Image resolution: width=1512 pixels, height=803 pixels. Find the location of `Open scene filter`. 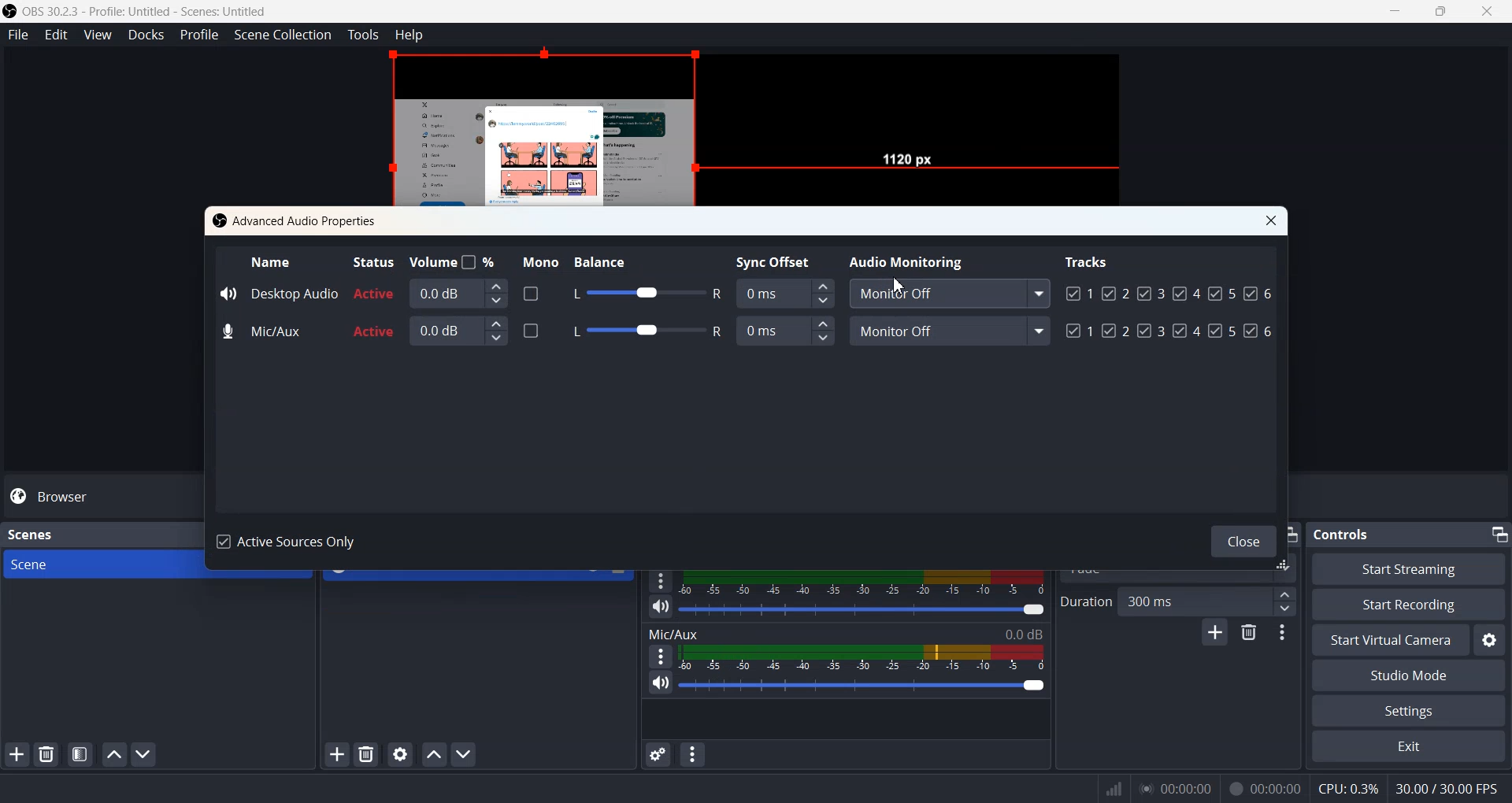

Open scene filter is located at coordinates (80, 756).